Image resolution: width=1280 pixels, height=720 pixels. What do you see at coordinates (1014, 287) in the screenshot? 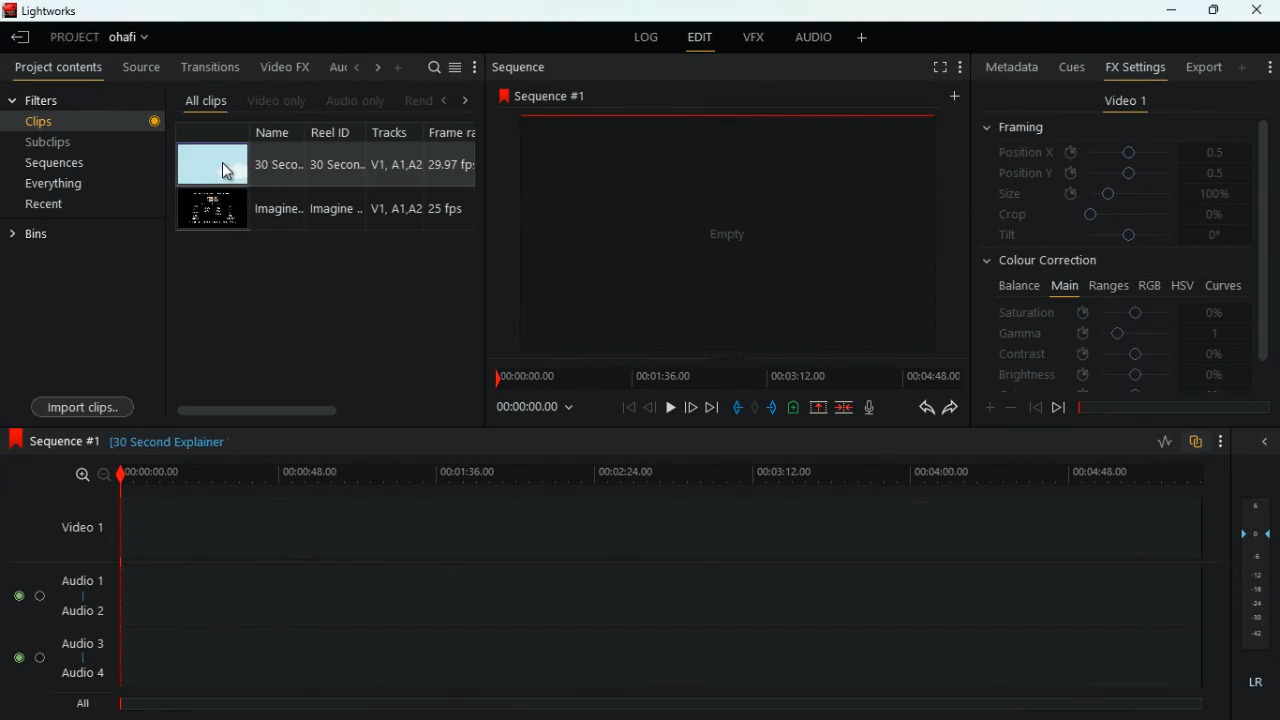
I see `balance` at bounding box center [1014, 287].